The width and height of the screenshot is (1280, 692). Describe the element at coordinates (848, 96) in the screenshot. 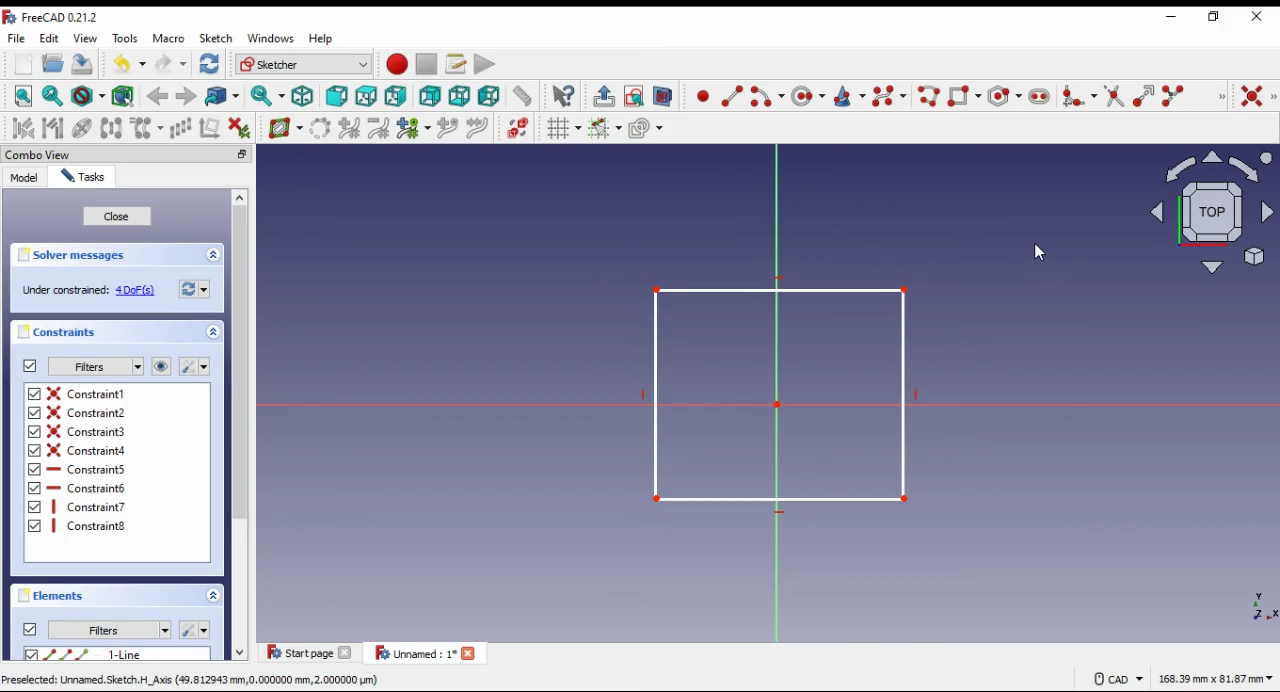

I see `create conic` at that location.